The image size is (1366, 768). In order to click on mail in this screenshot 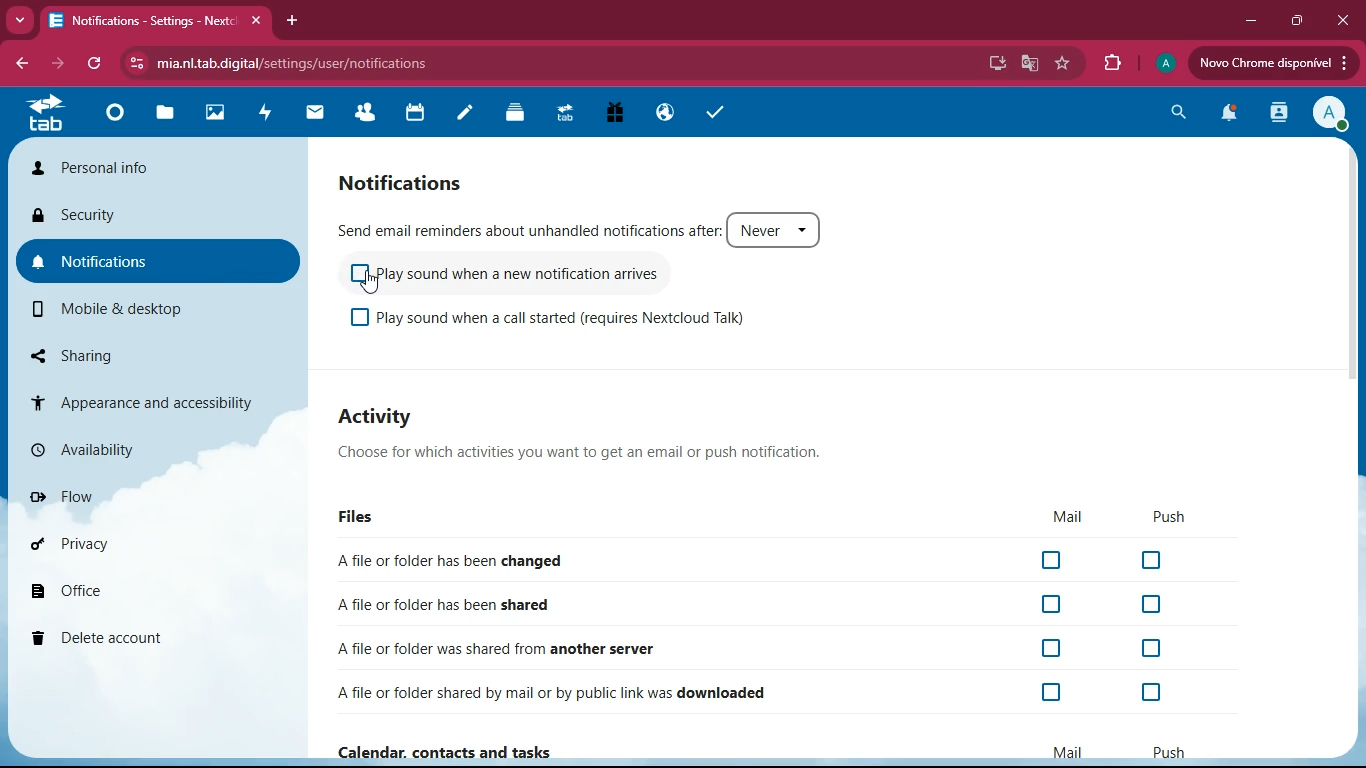, I will do `click(321, 113)`.